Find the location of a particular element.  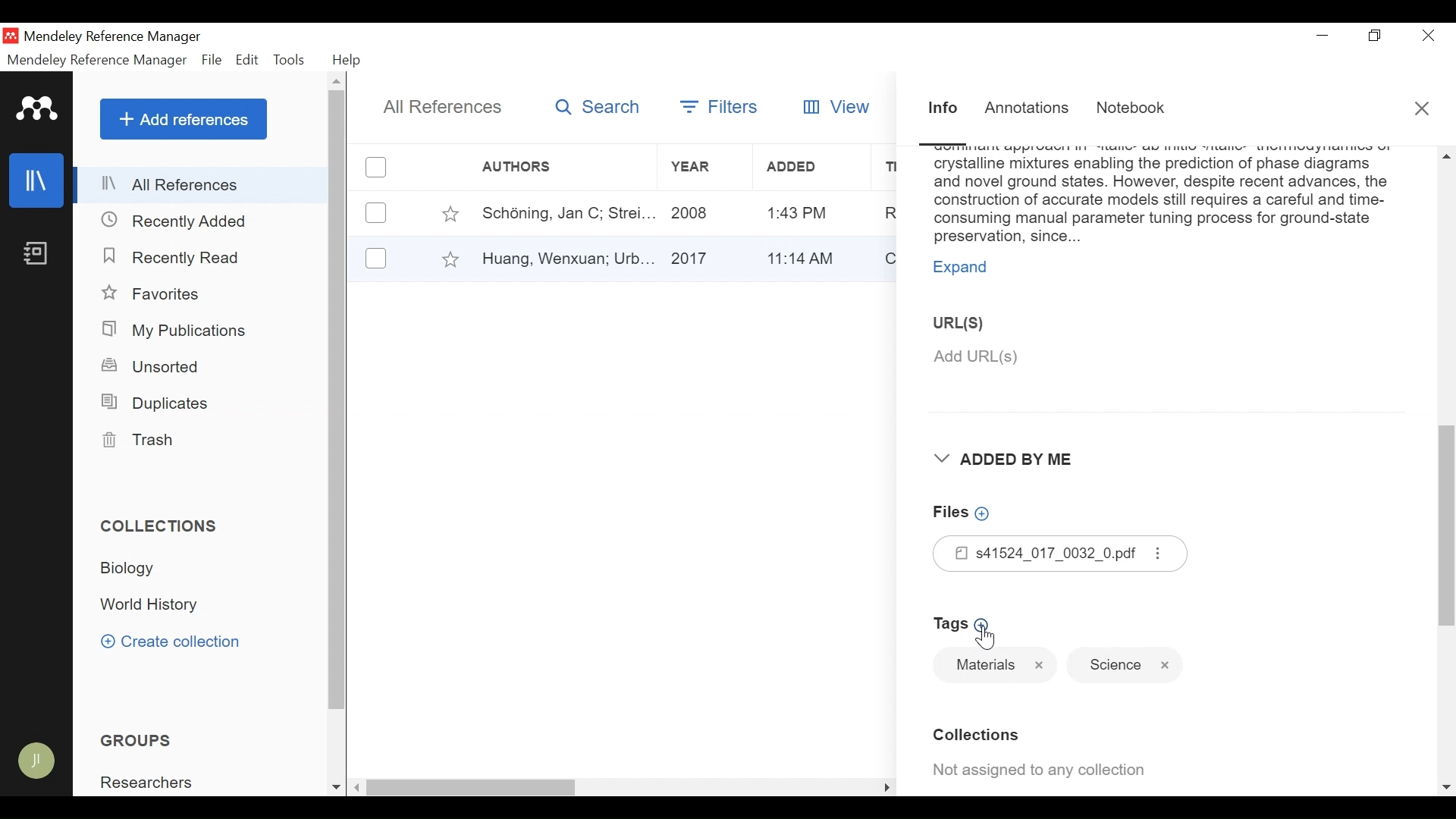

Favorites is located at coordinates (156, 294).